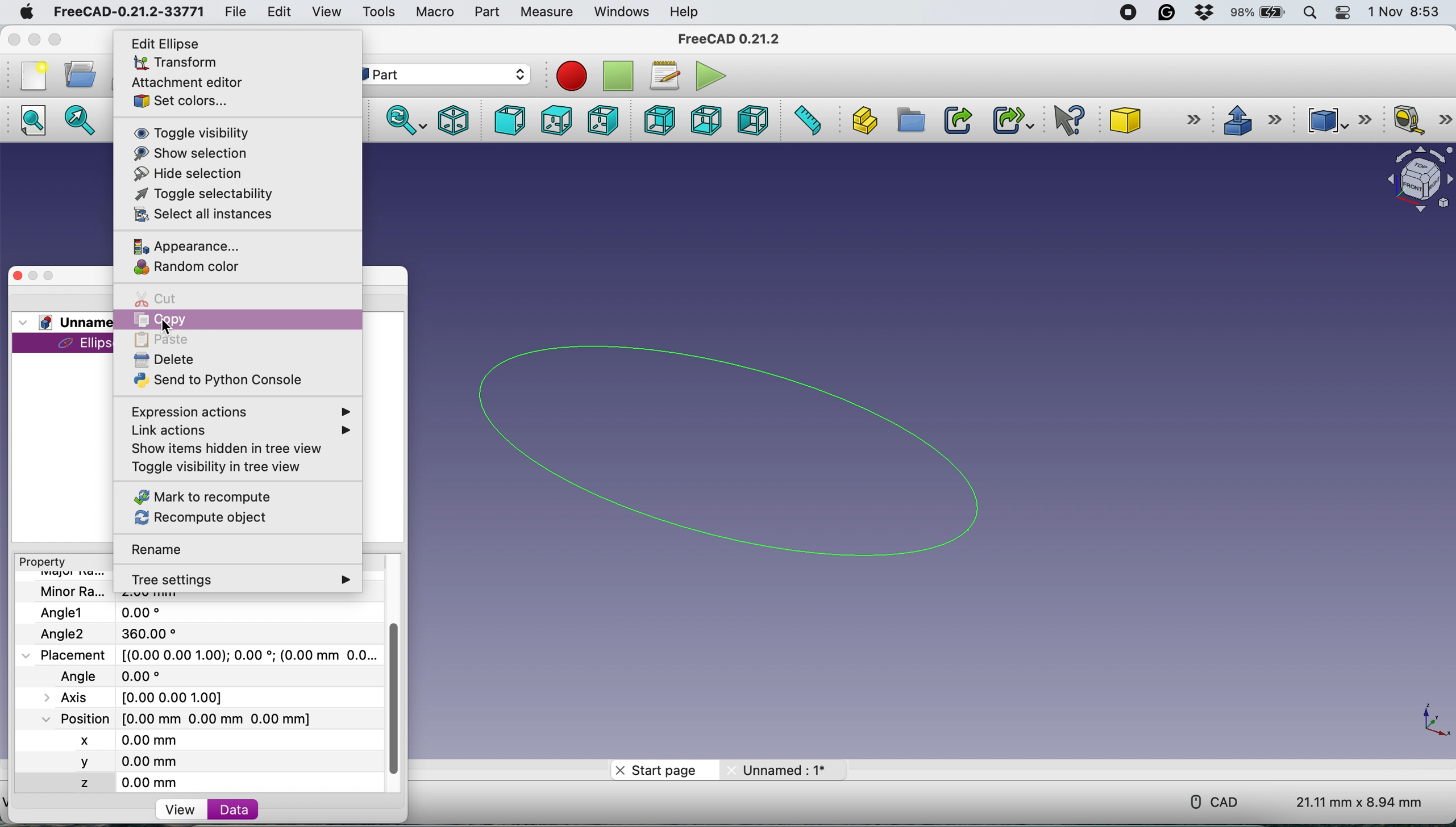 The width and height of the screenshot is (1456, 827). What do you see at coordinates (571, 75) in the screenshot?
I see `record macros` at bounding box center [571, 75].